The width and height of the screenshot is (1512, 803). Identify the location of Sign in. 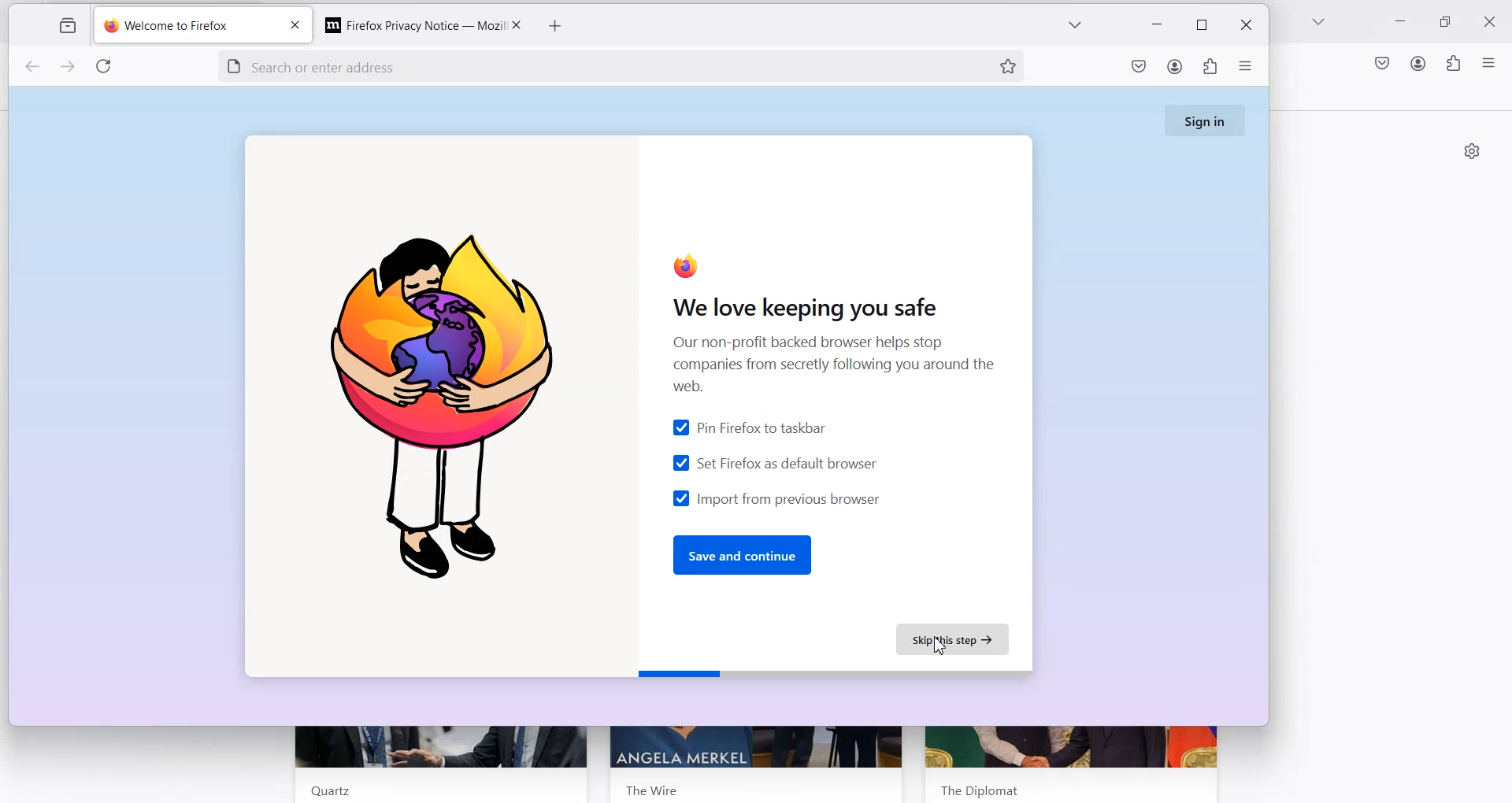
(1207, 120).